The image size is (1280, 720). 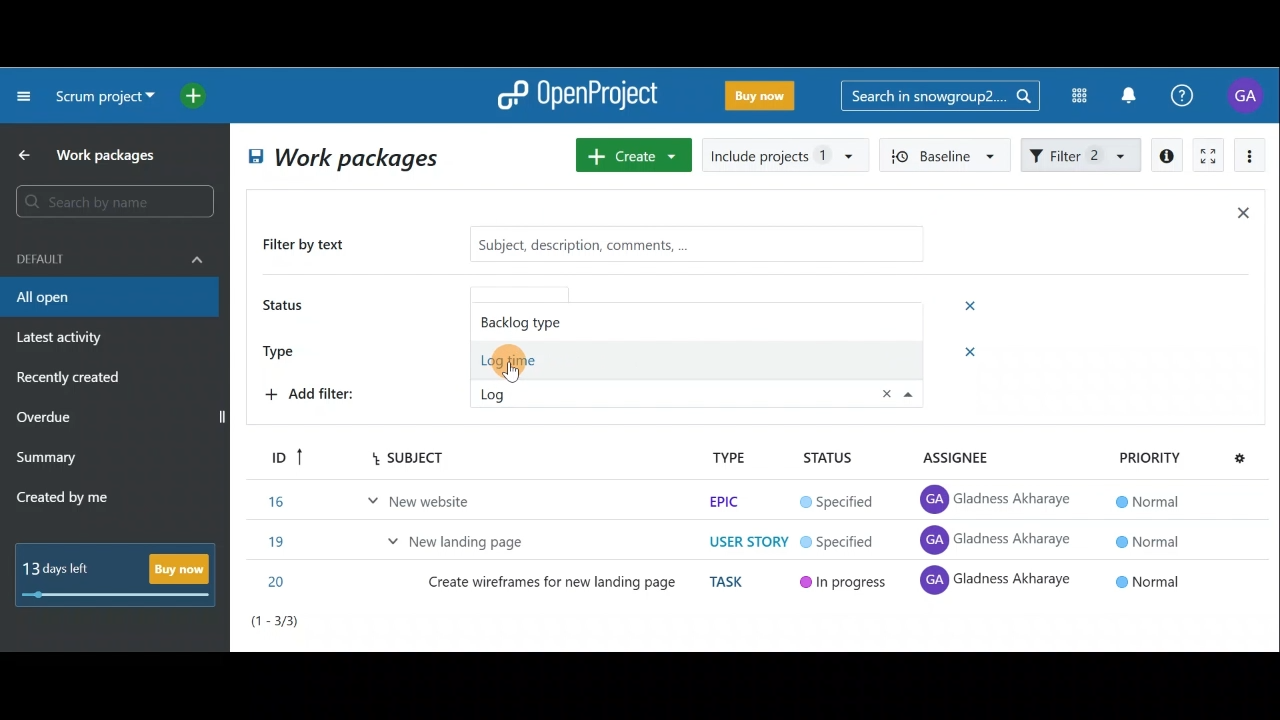 I want to click on Filter, so click(x=1082, y=153).